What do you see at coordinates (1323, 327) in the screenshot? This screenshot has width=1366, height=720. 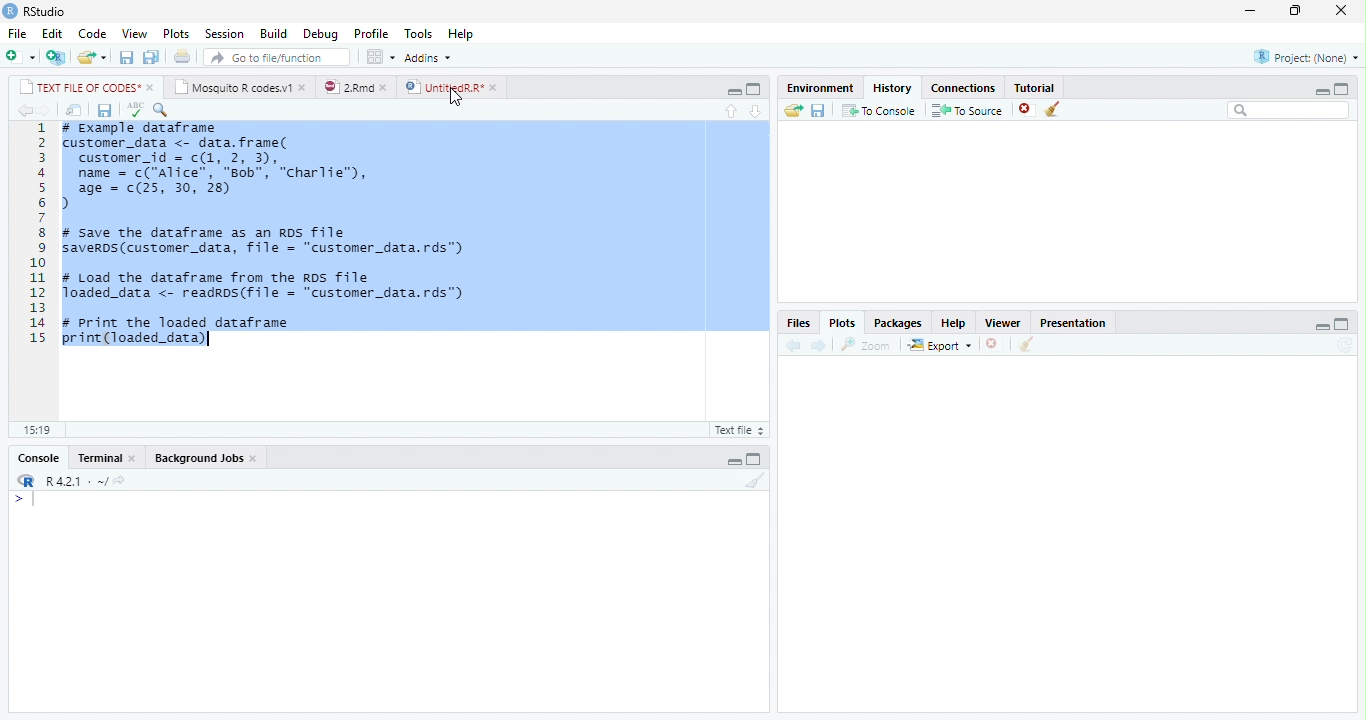 I see `minimize` at bounding box center [1323, 327].